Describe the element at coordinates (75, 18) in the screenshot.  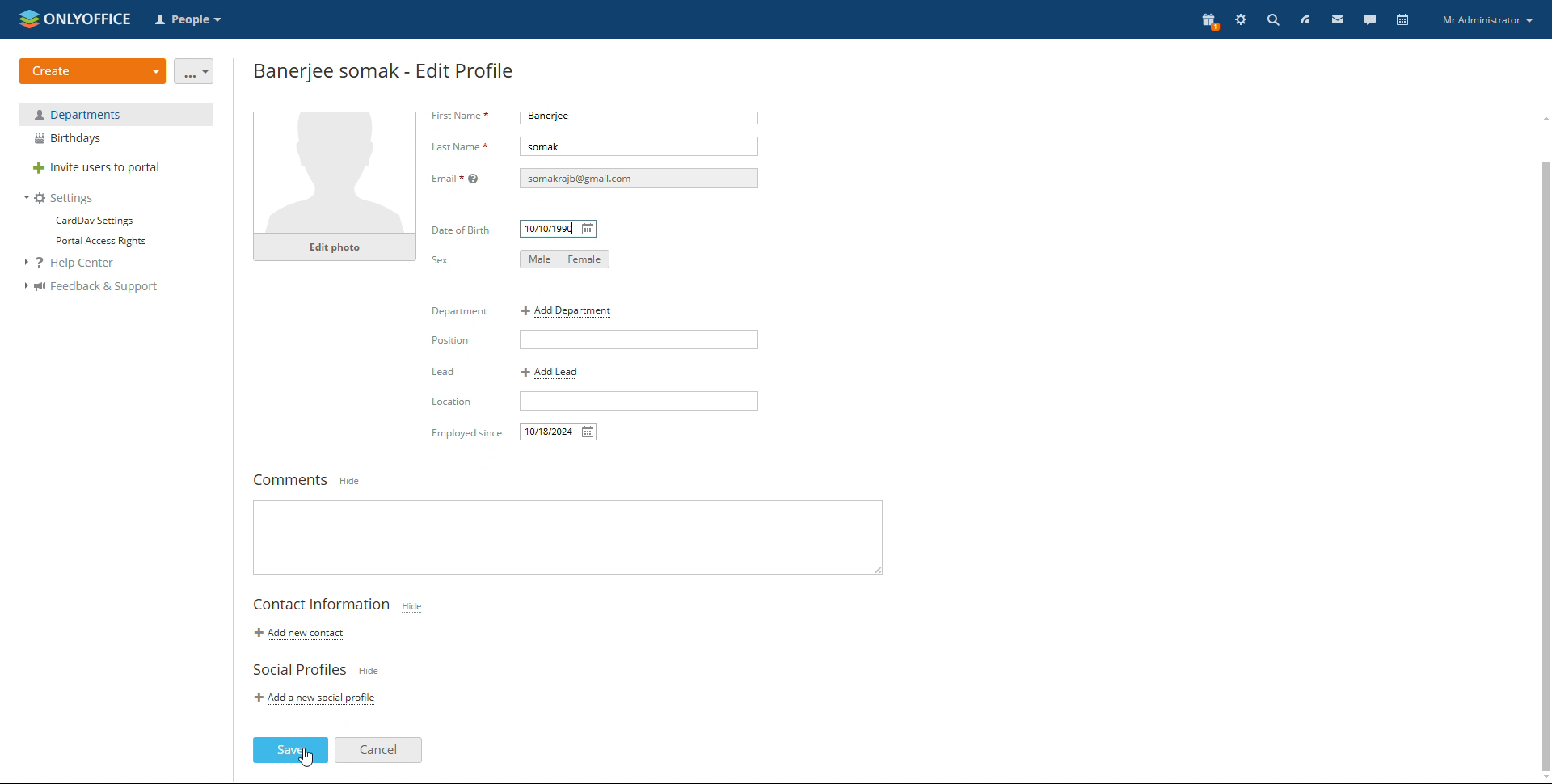
I see `logo` at that location.